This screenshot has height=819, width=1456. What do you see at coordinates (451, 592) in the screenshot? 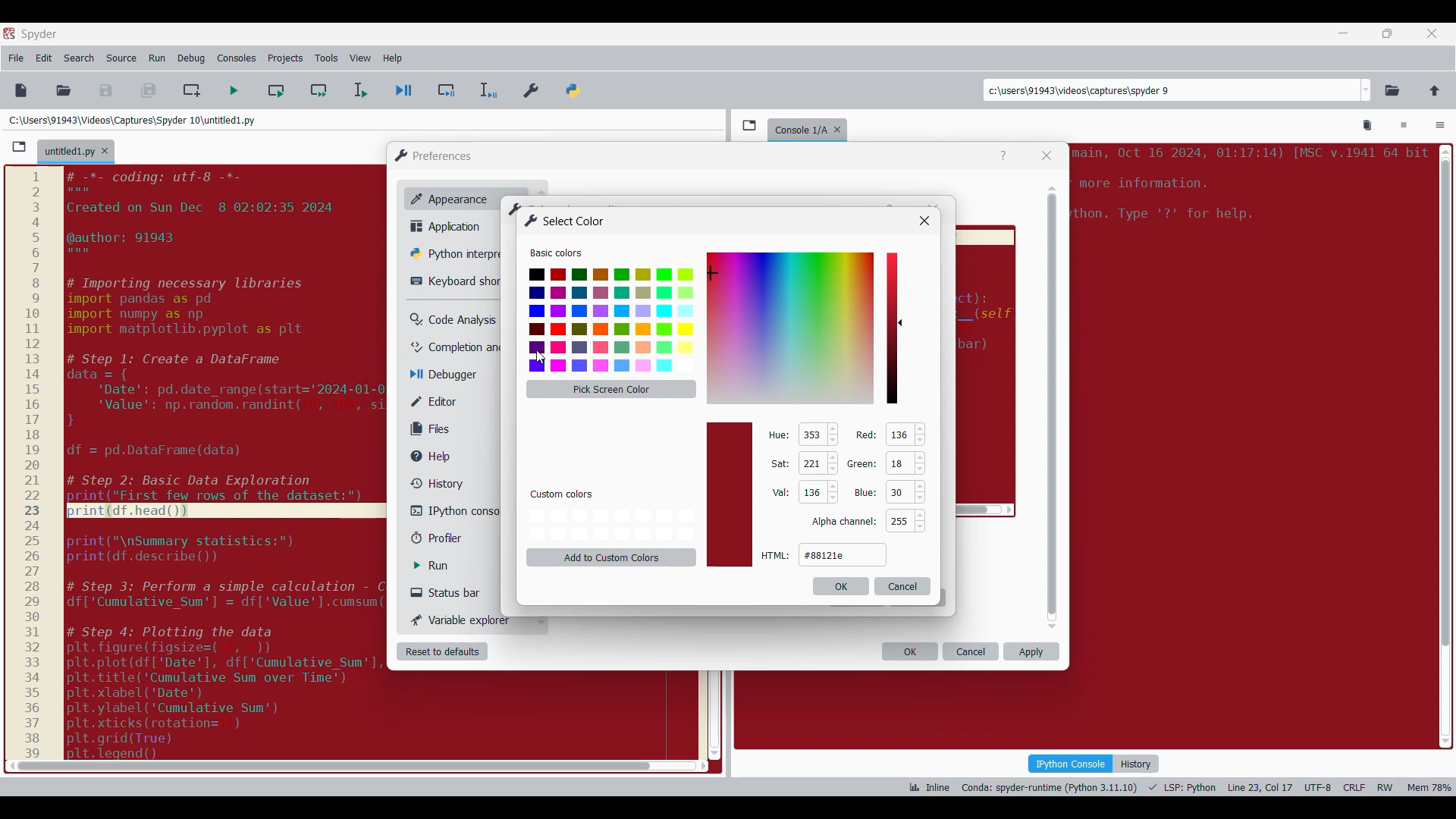
I see `Status bar` at bounding box center [451, 592].